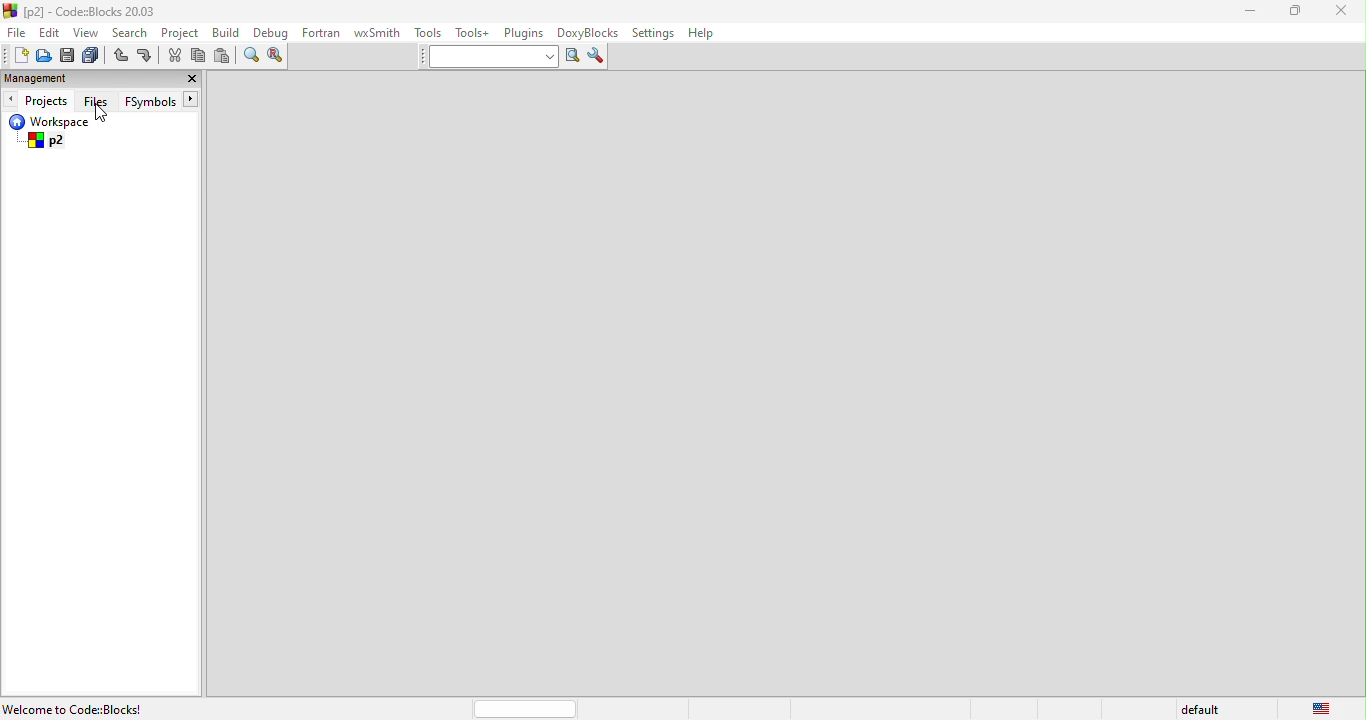 This screenshot has width=1366, height=720. Describe the element at coordinates (589, 32) in the screenshot. I see `doxyblocks` at that location.